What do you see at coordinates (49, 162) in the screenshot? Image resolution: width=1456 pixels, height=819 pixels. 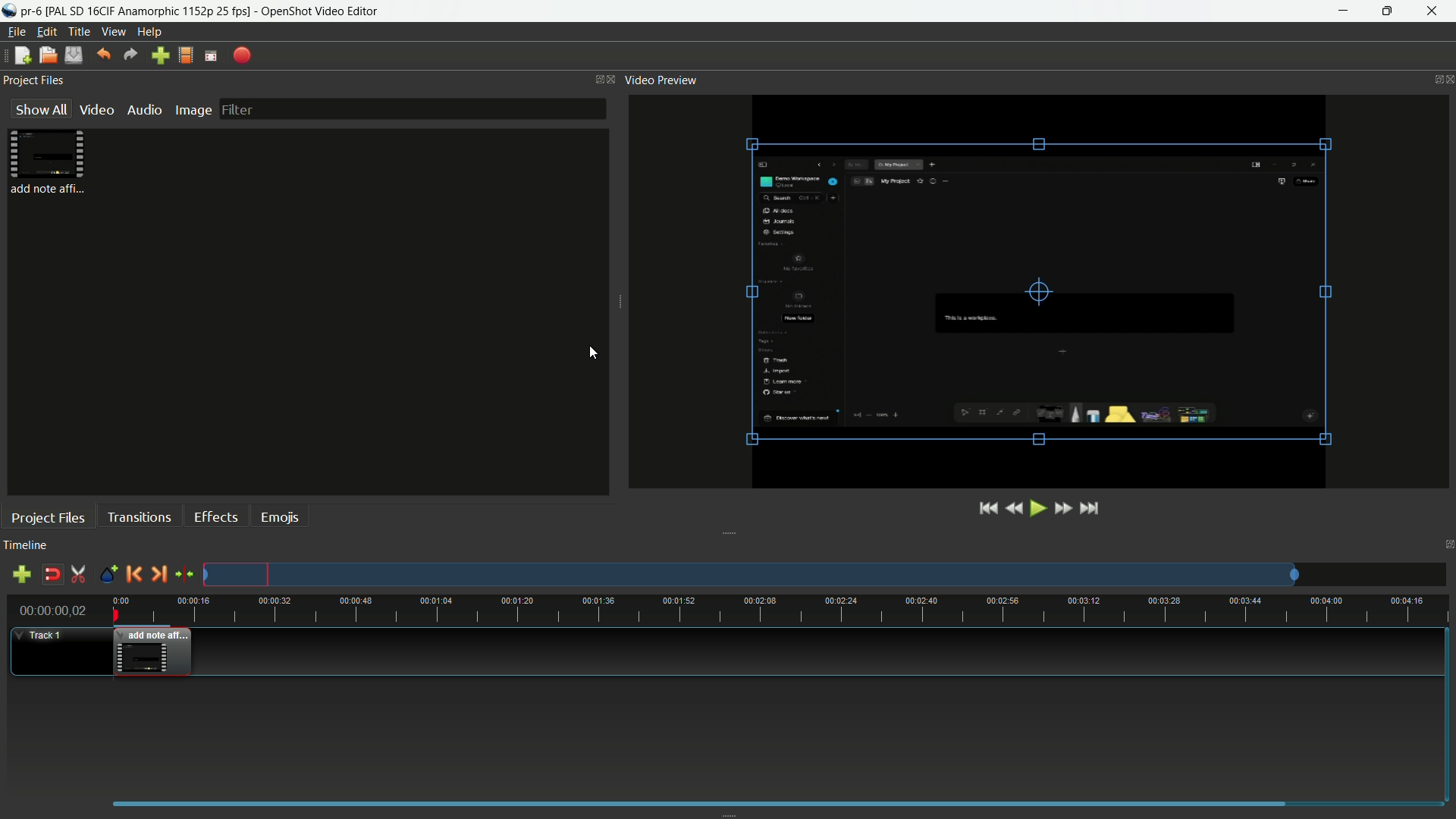 I see `project files` at bounding box center [49, 162].